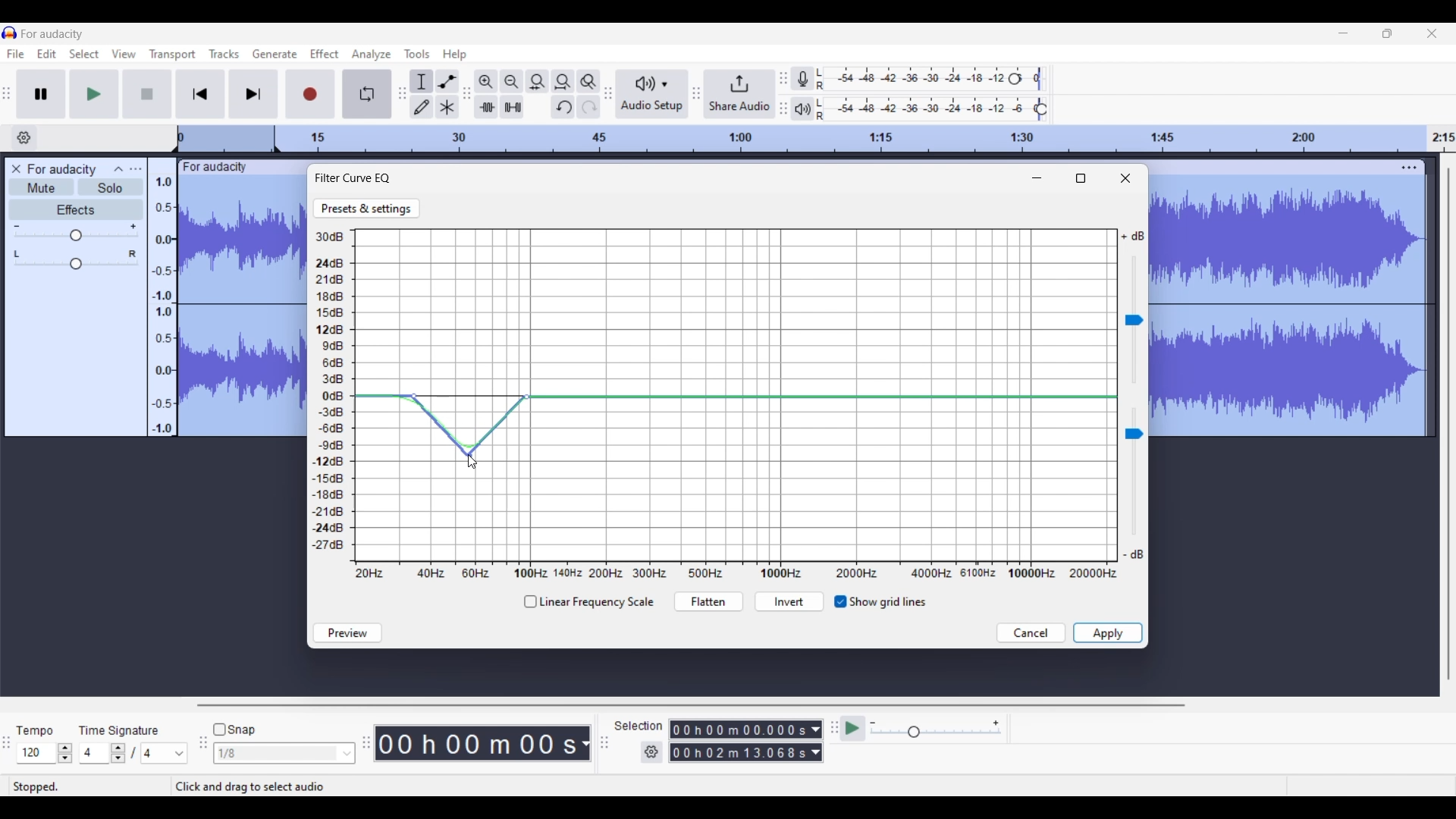  What do you see at coordinates (234, 730) in the screenshot?
I see `Snap toggle` at bounding box center [234, 730].